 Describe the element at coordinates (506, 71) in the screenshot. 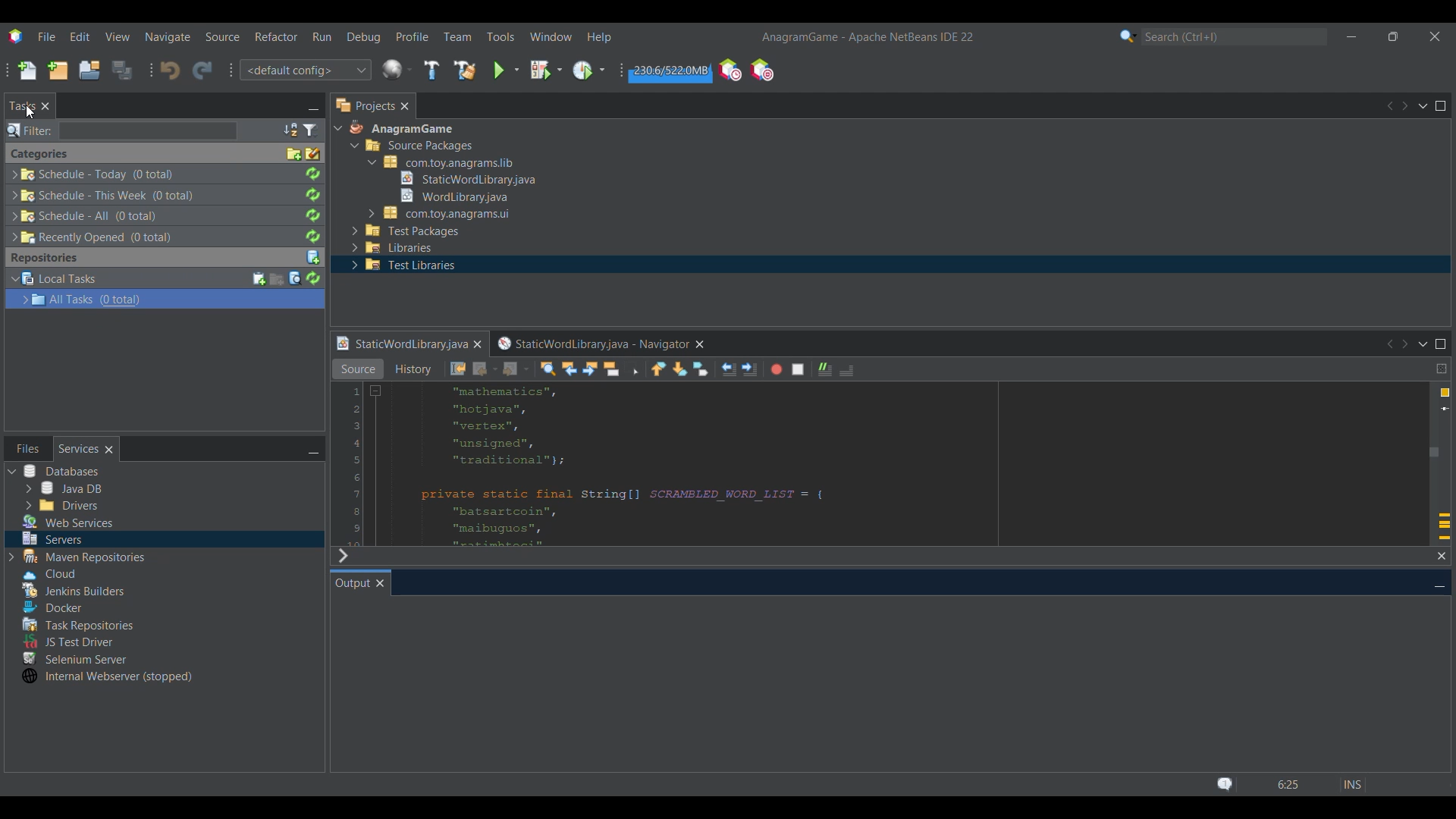

I see `Run main project` at that location.